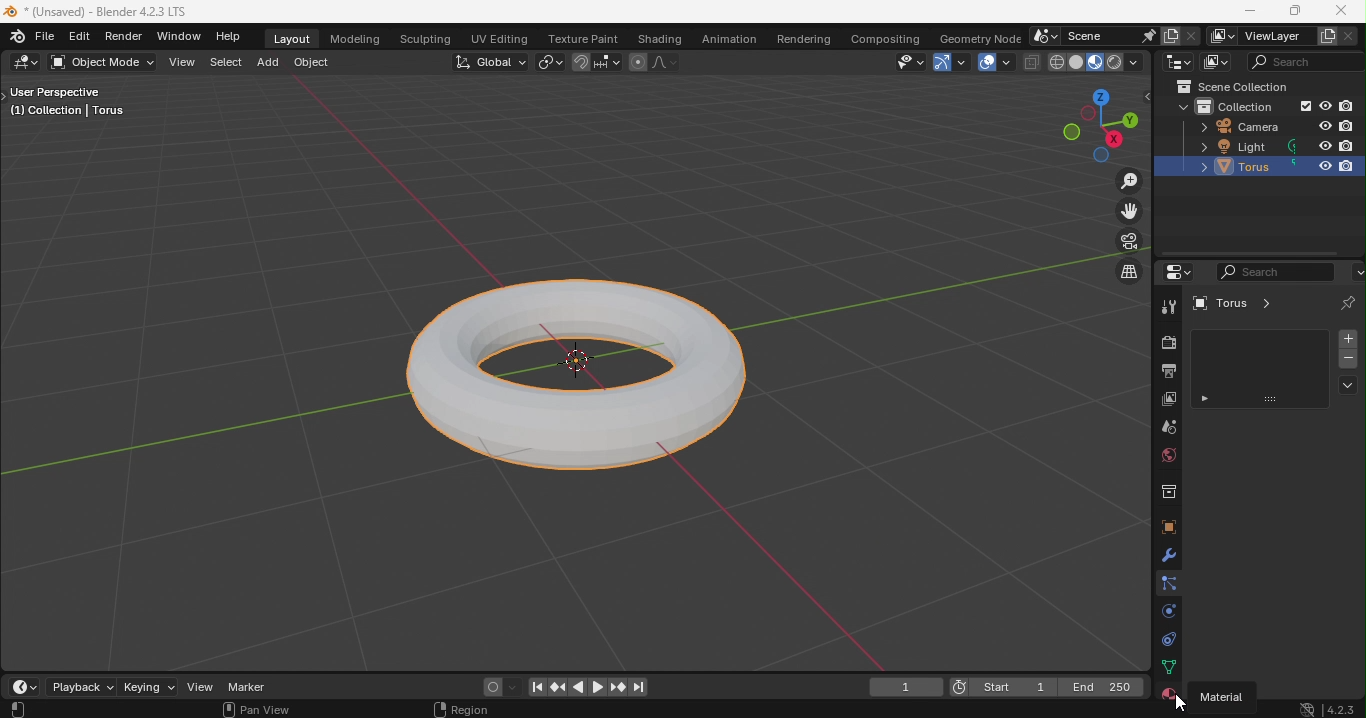 The width and height of the screenshot is (1366, 718). Describe the element at coordinates (1168, 637) in the screenshot. I see `Constraints` at that location.